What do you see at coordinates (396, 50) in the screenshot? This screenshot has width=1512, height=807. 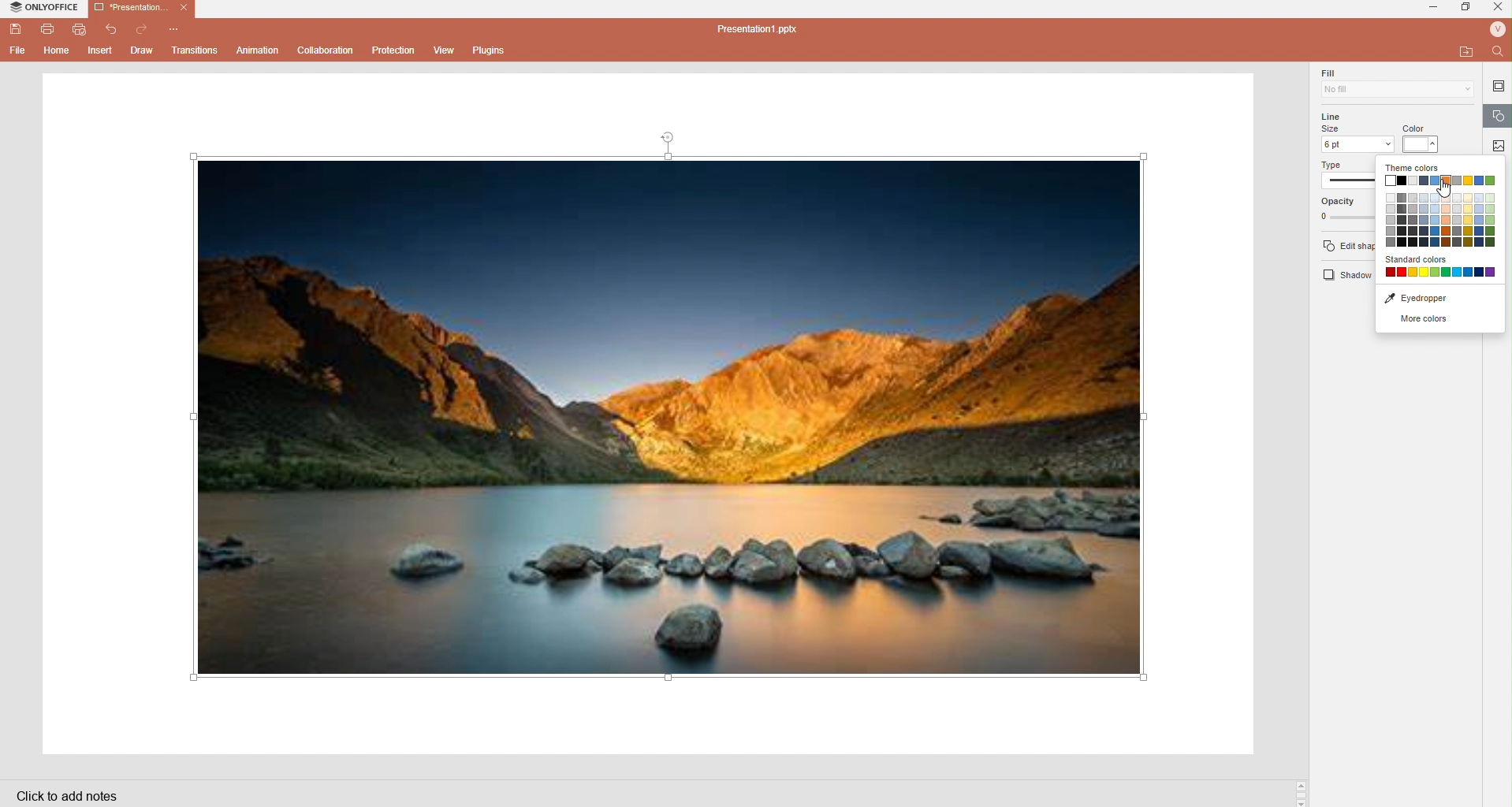 I see `Protection` at bounding box center [396, 50].